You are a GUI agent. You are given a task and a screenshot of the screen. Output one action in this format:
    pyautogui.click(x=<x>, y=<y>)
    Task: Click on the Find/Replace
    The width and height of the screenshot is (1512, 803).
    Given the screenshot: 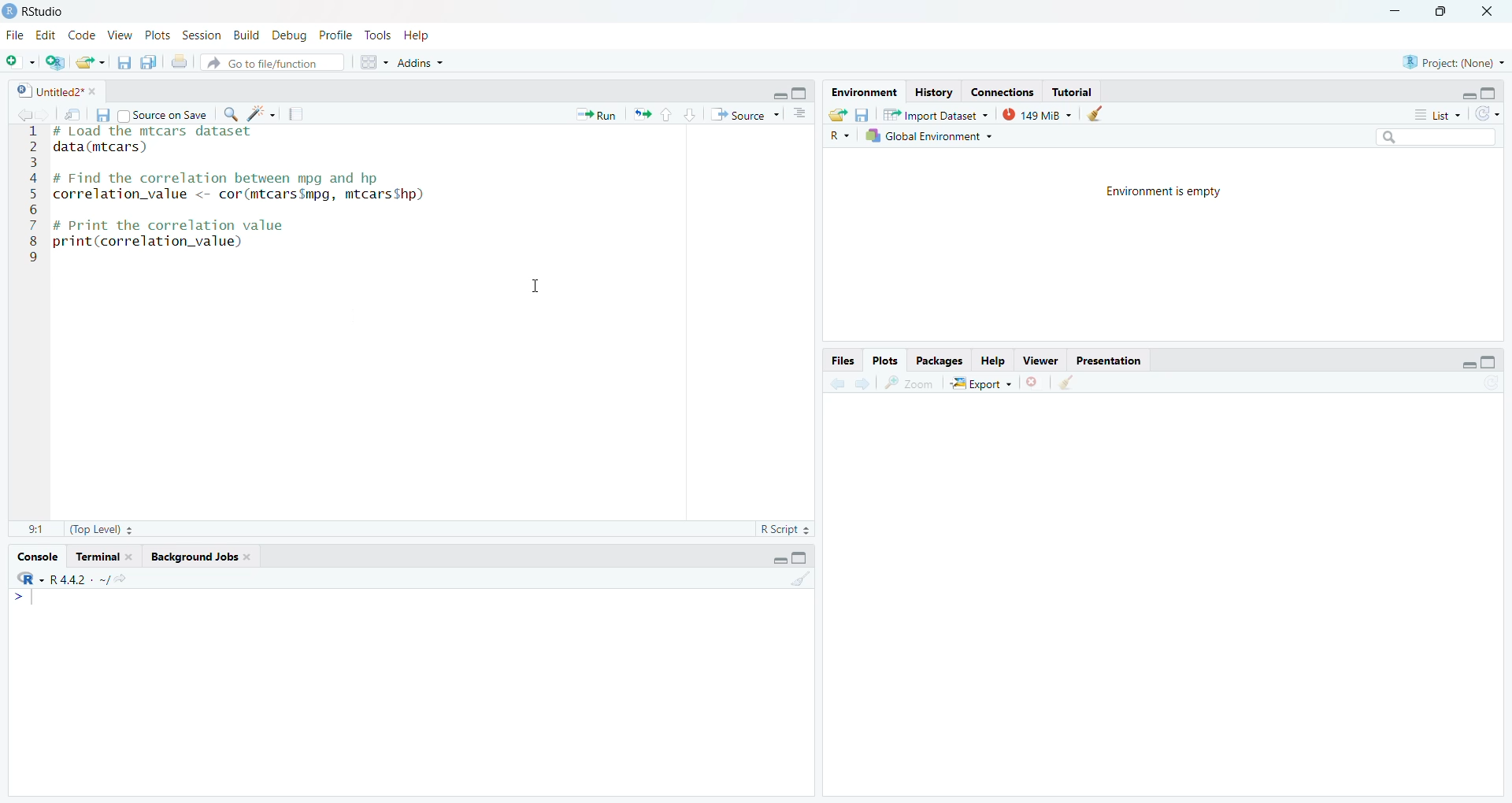 What is the action you would take?
    pyautogui.click(x=231, y=113)
    